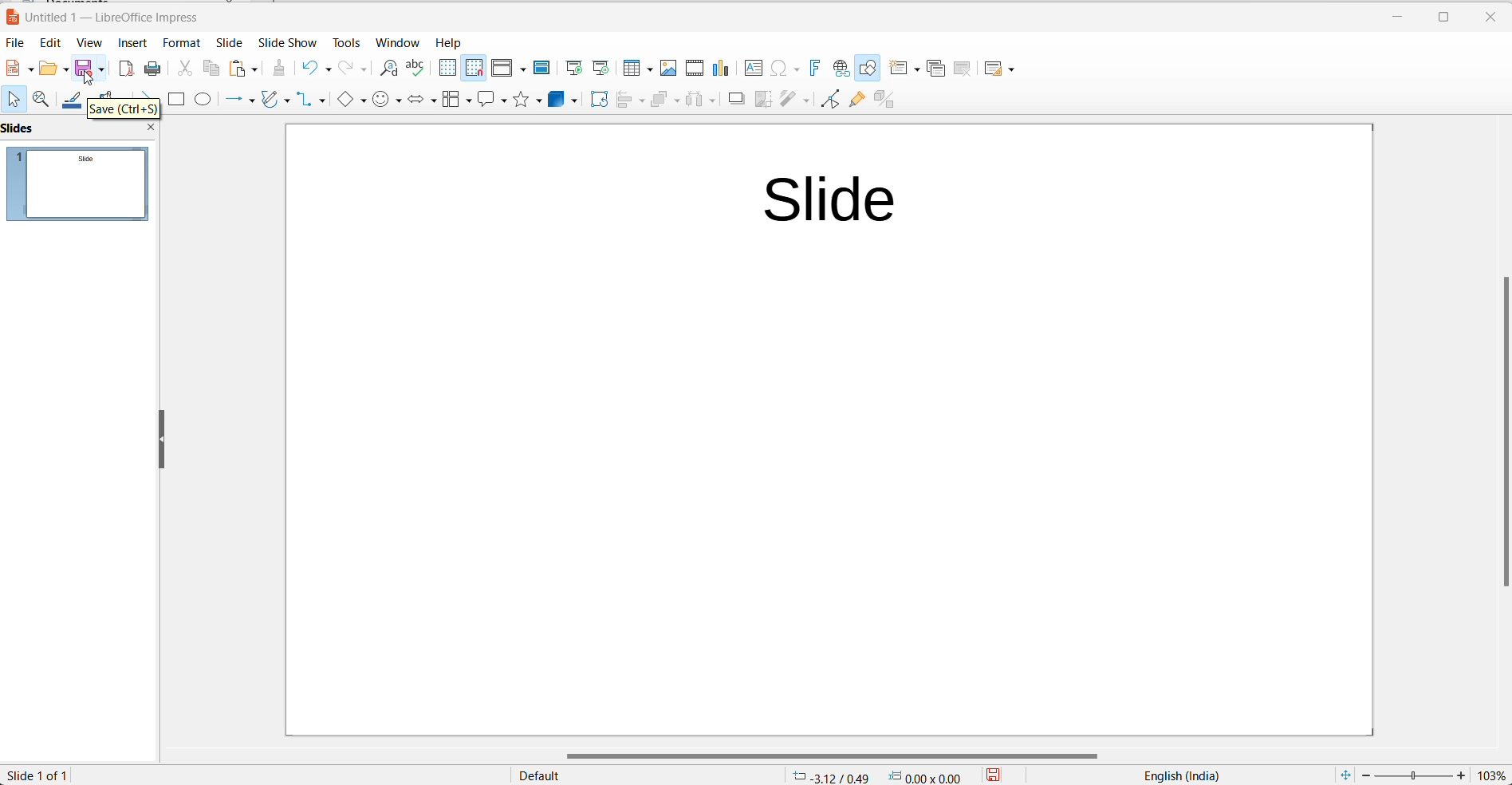 This screenshot has width=1512, height=785. What do you see at coordinates (841, 69) in the screenshot?
I see `insert hyperlink` at bounding box center [841, 69].